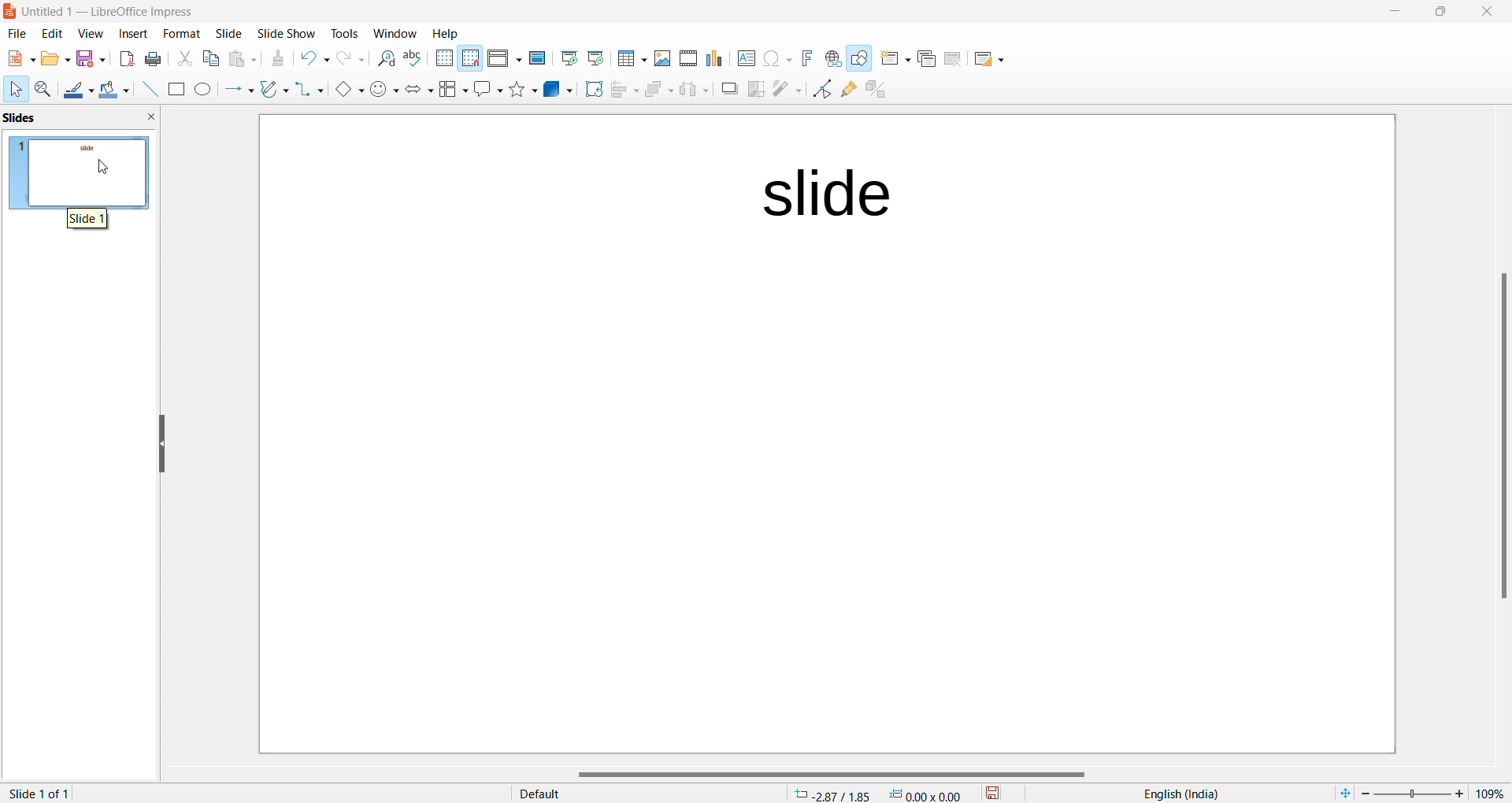  What do you see at coordinates (830, 59) in the screenshot?
I see `Insert hyperlink` at bounding box center [830, 59].